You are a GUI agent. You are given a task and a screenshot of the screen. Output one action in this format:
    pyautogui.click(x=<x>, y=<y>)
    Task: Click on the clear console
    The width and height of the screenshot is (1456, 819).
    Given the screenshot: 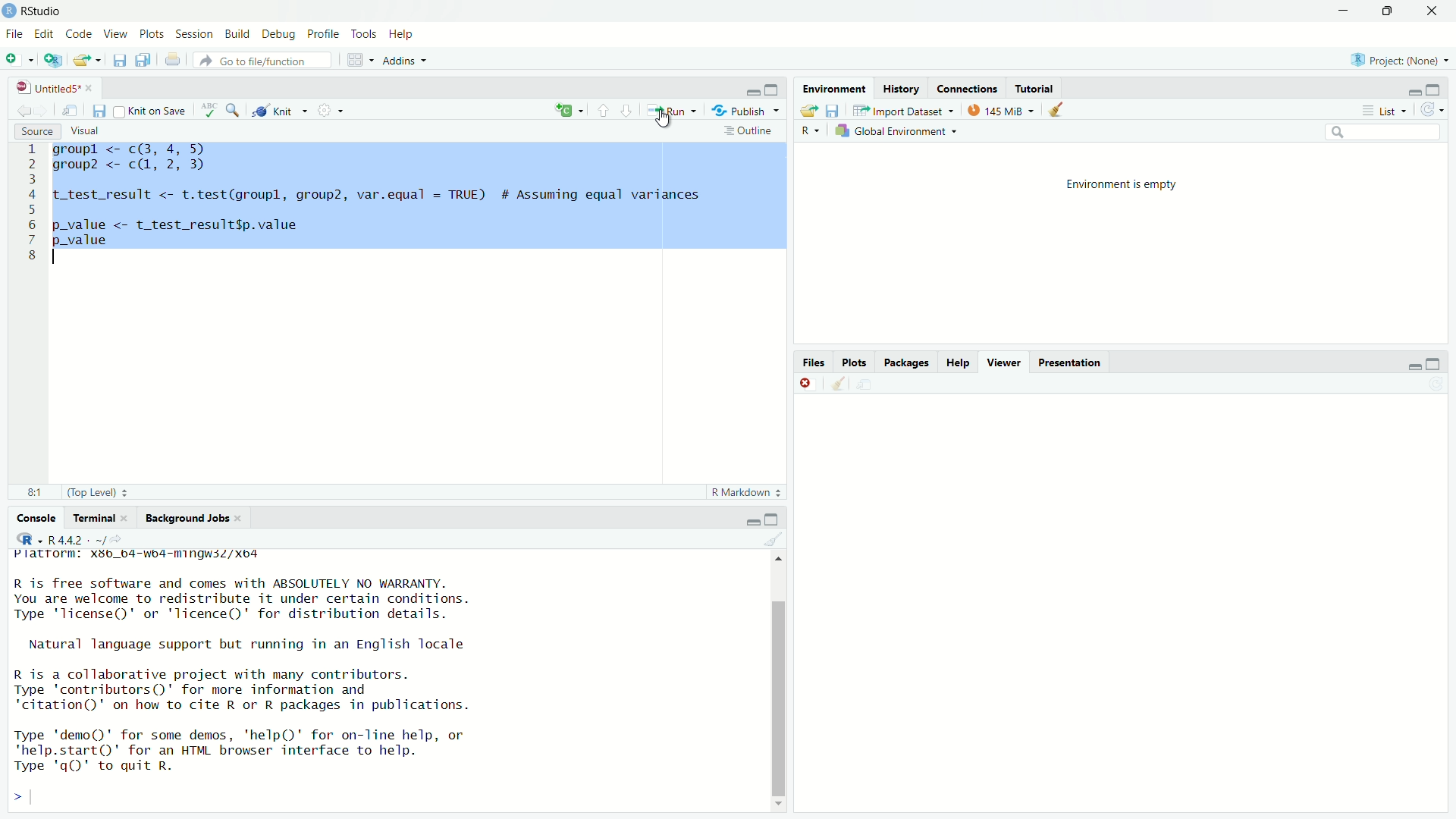 What is the action you would take?
    pyautogui.click(x=836, y=382)
    